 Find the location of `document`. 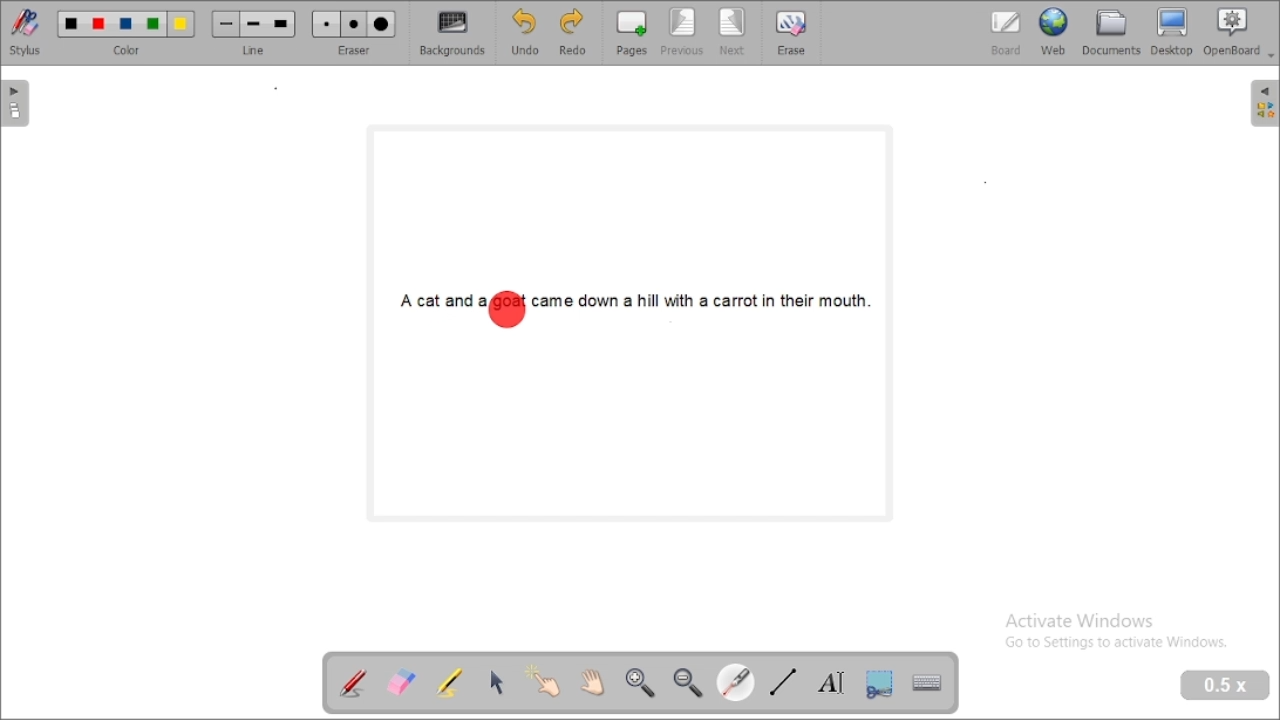

document is located at coordinates (1112, 32).